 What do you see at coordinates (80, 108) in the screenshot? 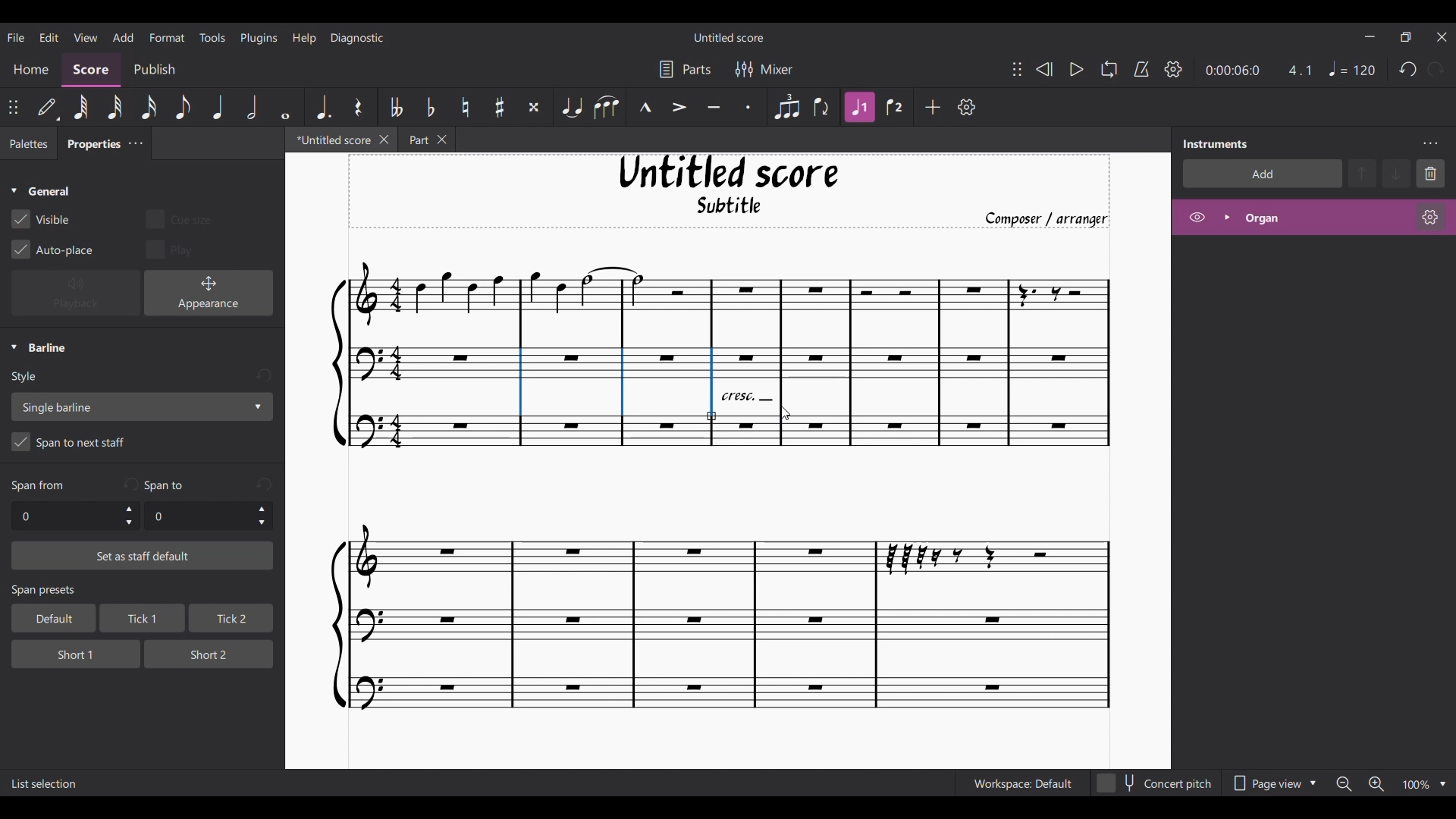
I see `64th note` at bounding box center [80, 108].